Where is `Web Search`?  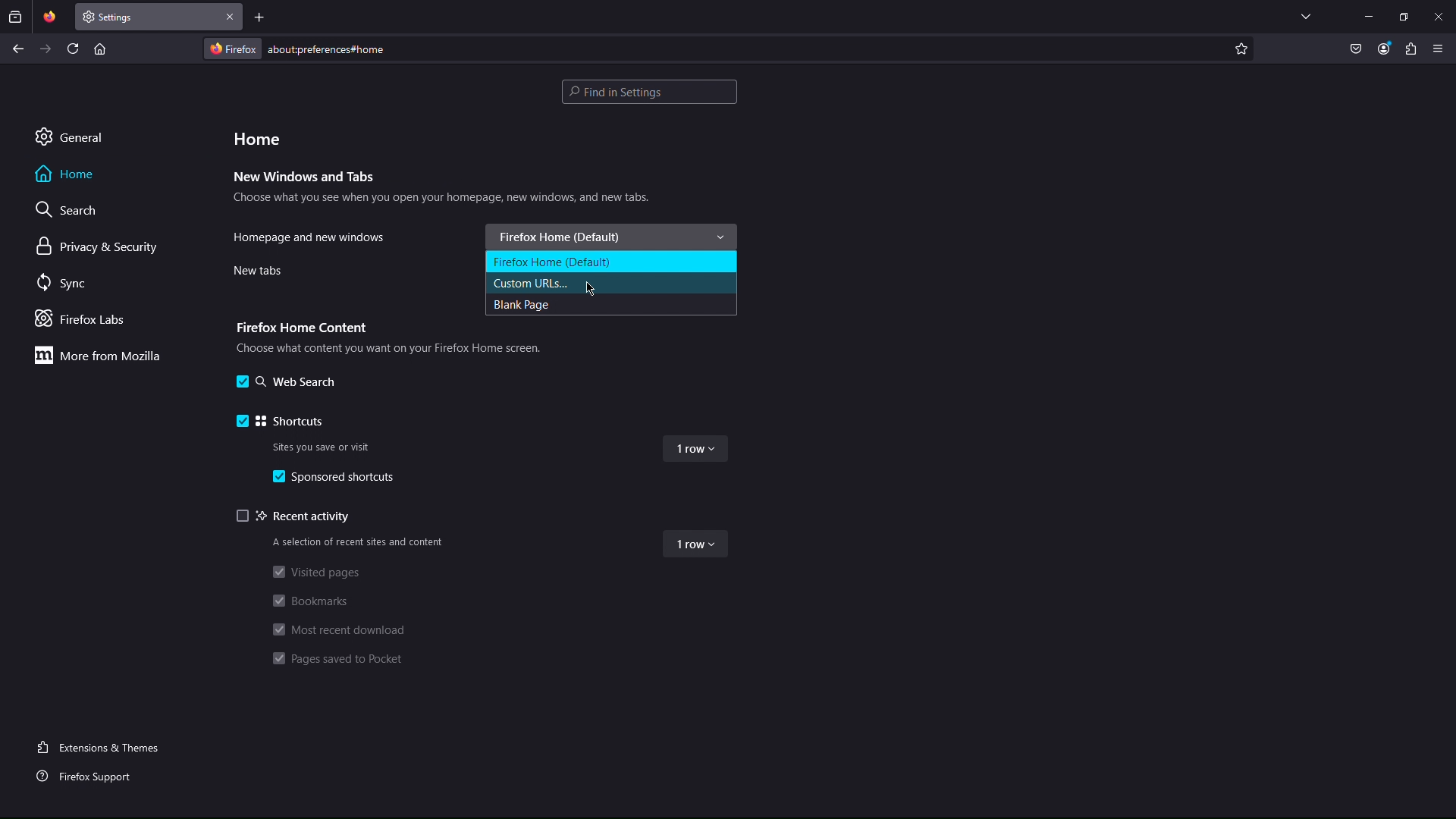
Web Search is located at coordinates (289, 381).